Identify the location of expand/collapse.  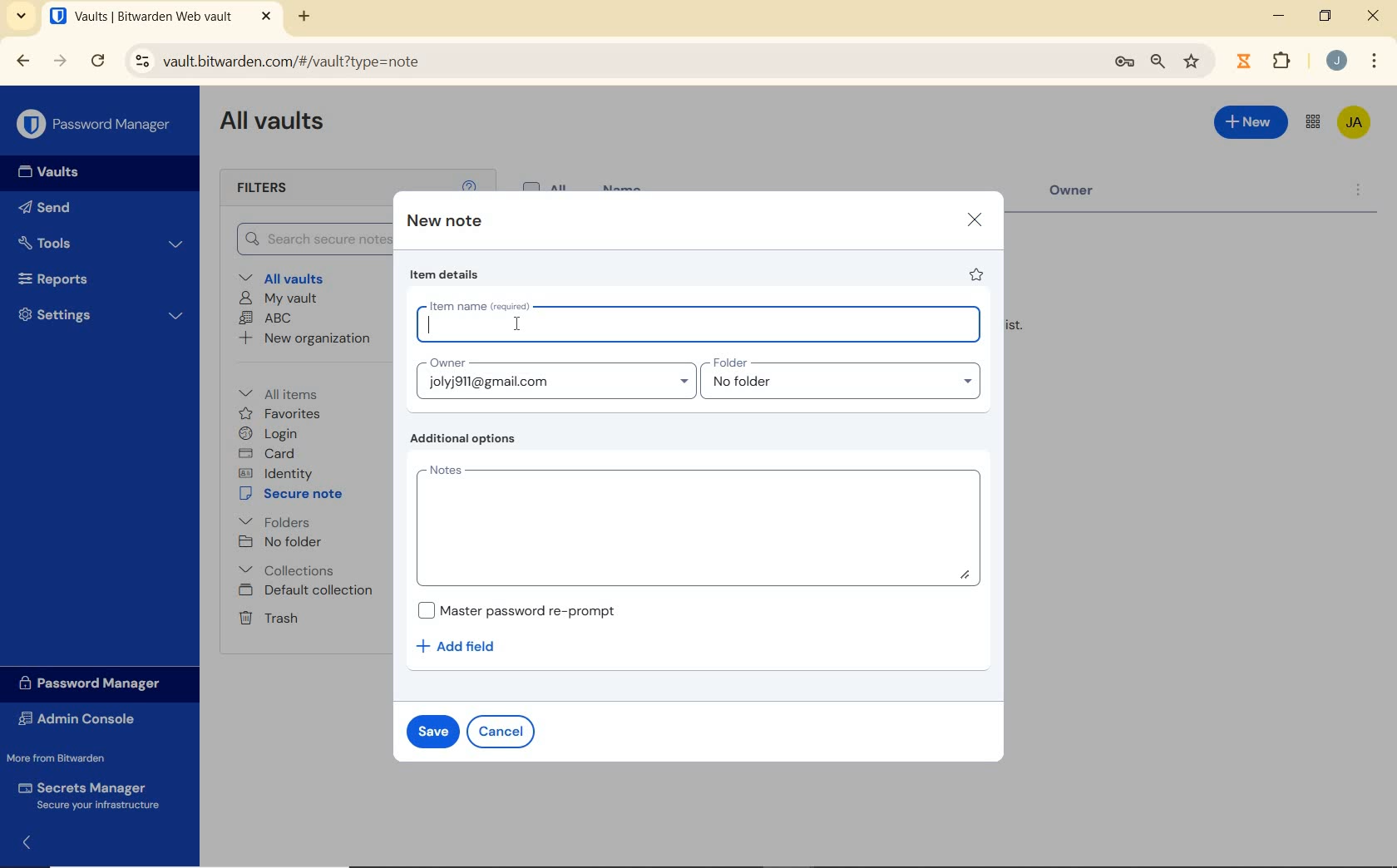
(22, 846).